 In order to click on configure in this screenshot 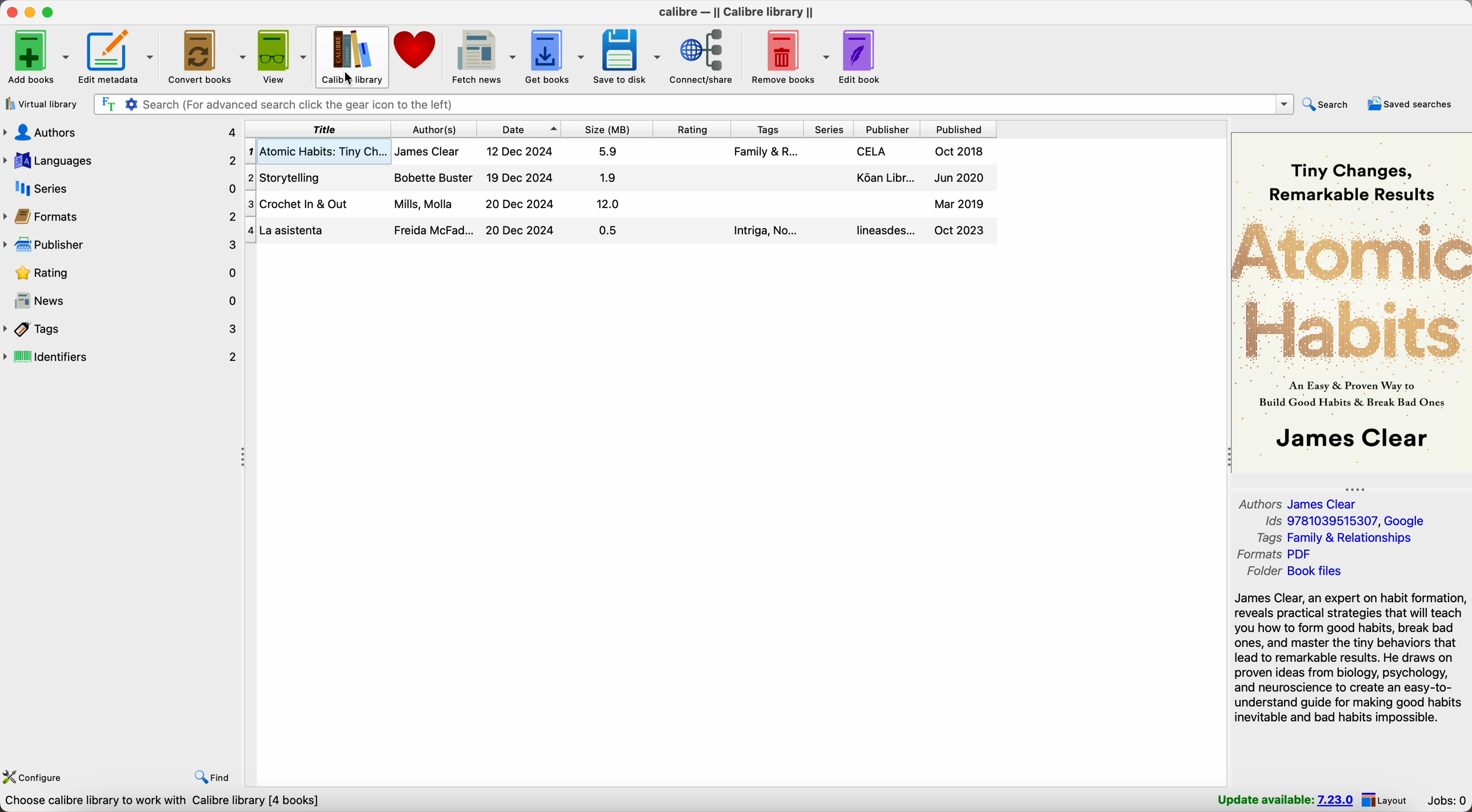, I will do `click(37, 775)`.